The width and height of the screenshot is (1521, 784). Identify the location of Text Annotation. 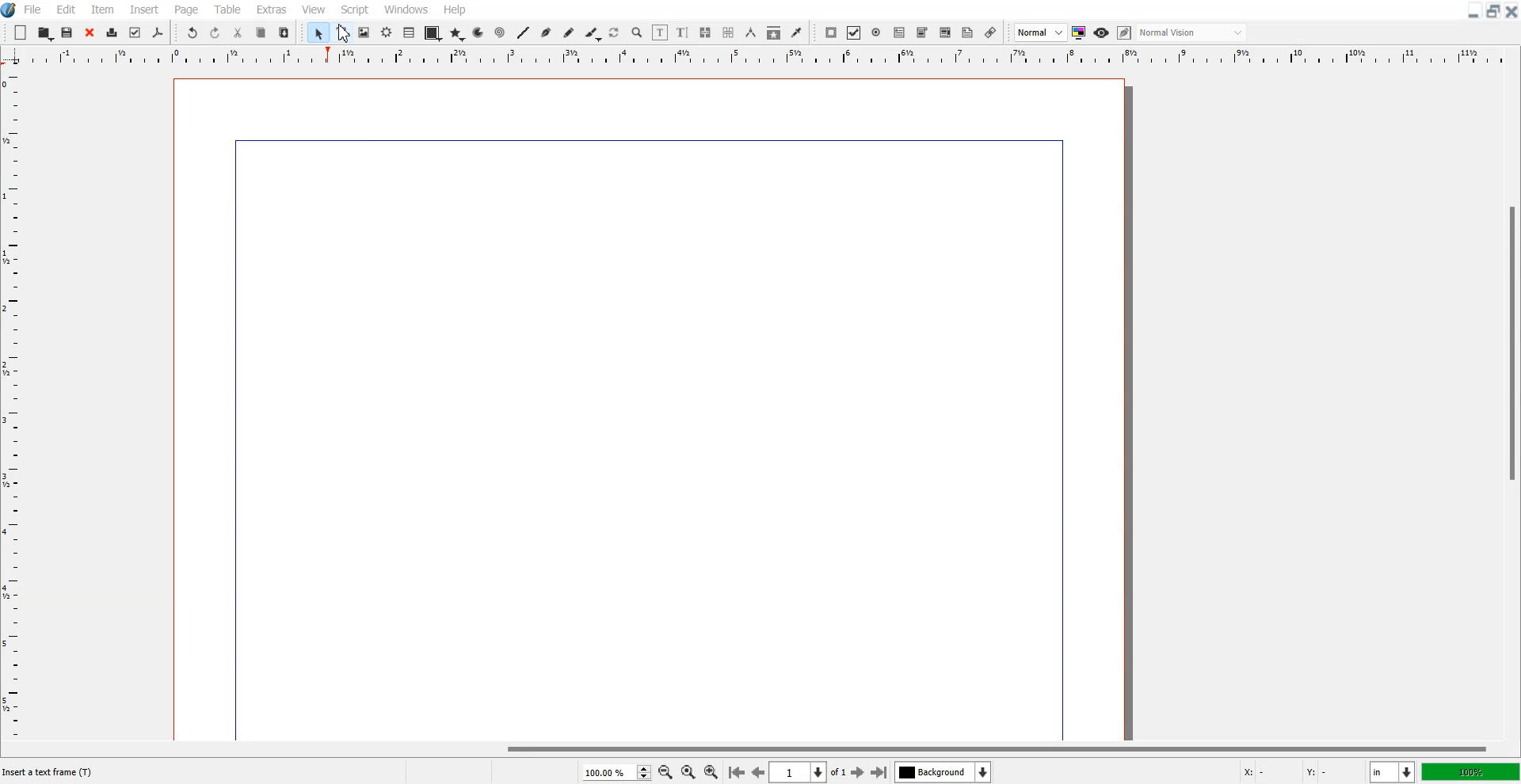
(967, 33).